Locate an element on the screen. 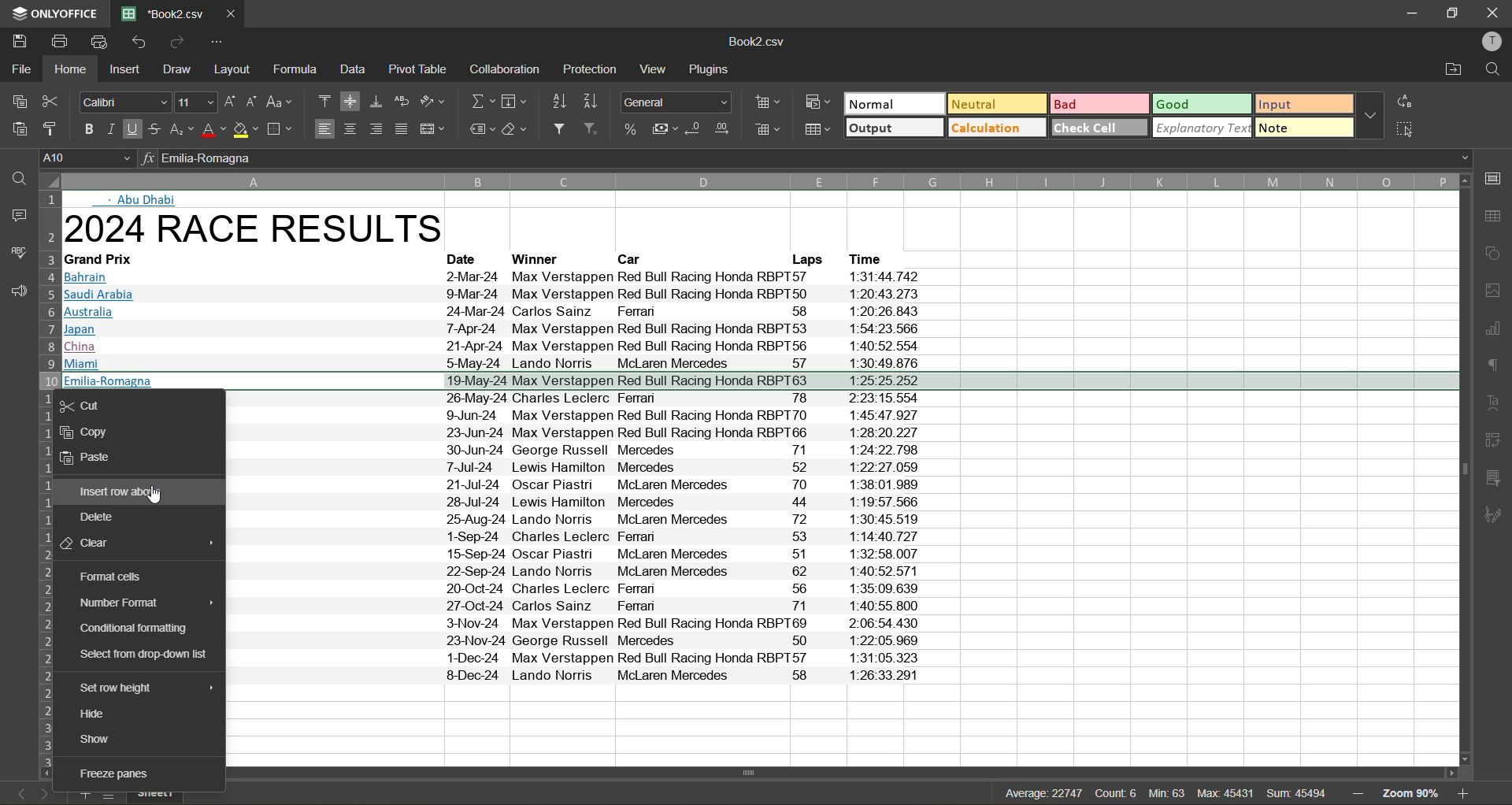 The width and height of the screenshot is (1512, 805). select from drop down list is located at coordinates (139, 655).